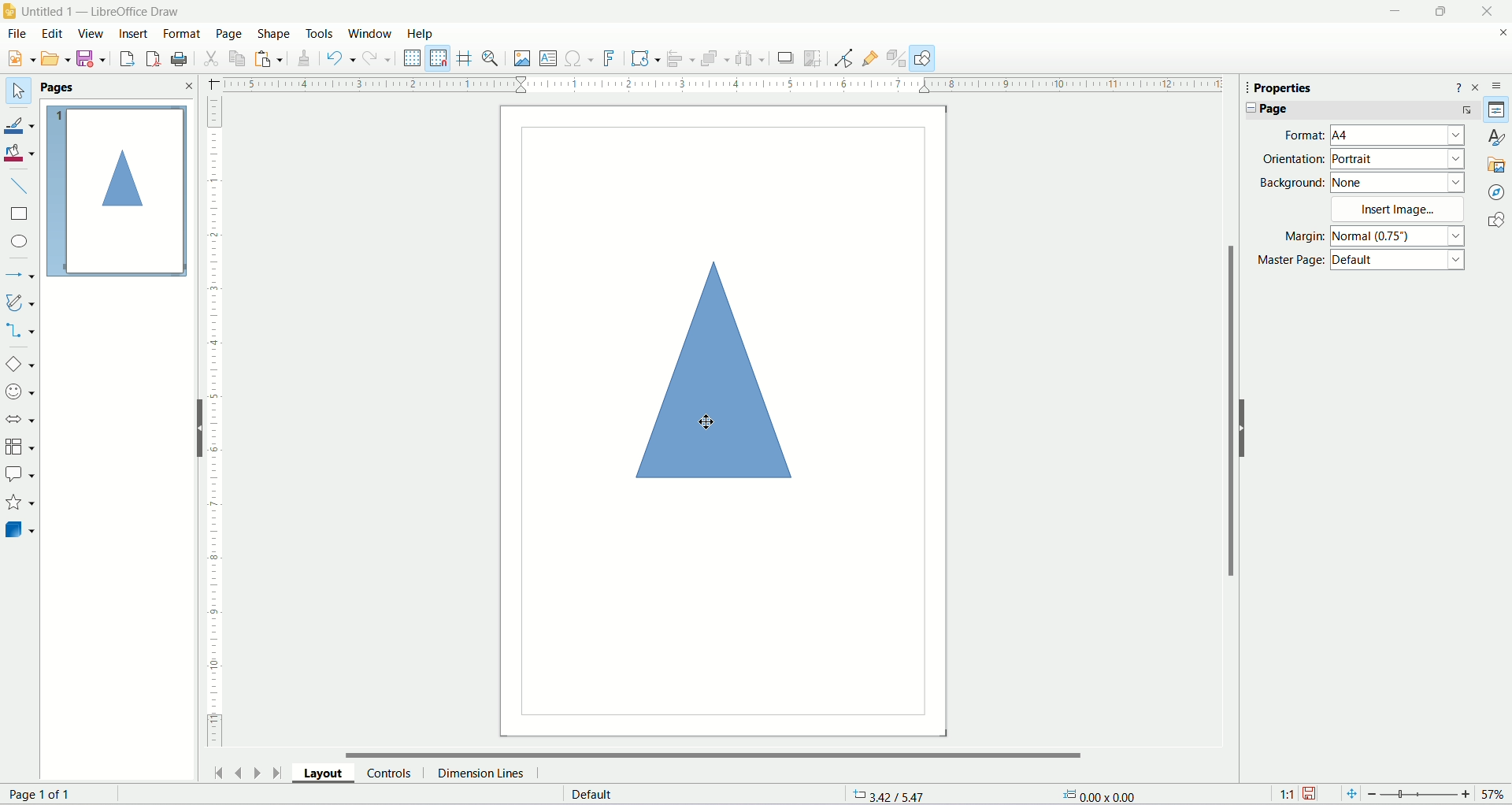 The width and height of the screenshot is (1512, 805). Describe the element at coordinates (720, 83) in the screenshot. I see `Horizontal Ruler` at that location.